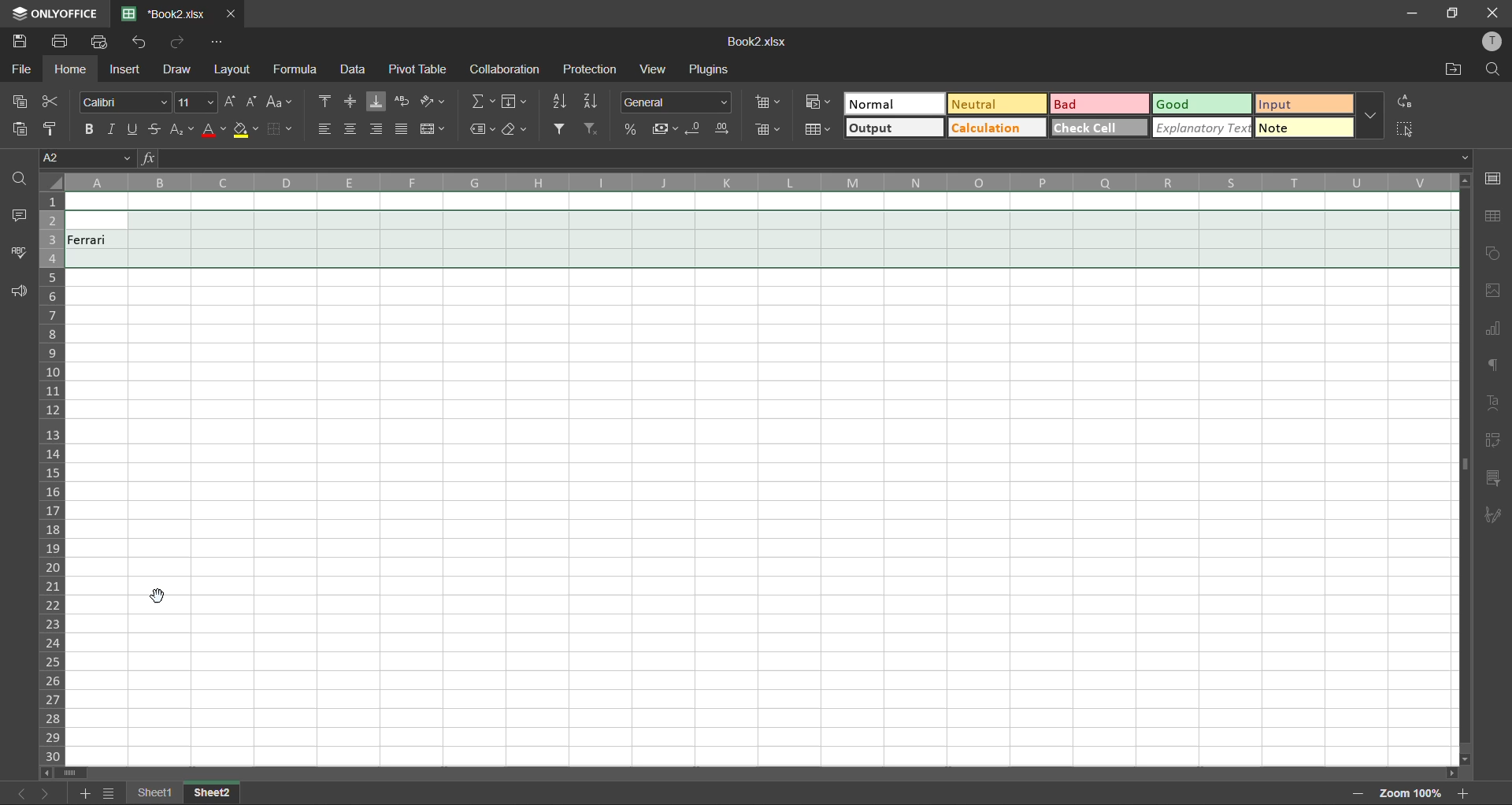  What do you see at coordinates (1410, 793) in the screenshot?
I see `zoom factor` at bounding box center [1410, 793].